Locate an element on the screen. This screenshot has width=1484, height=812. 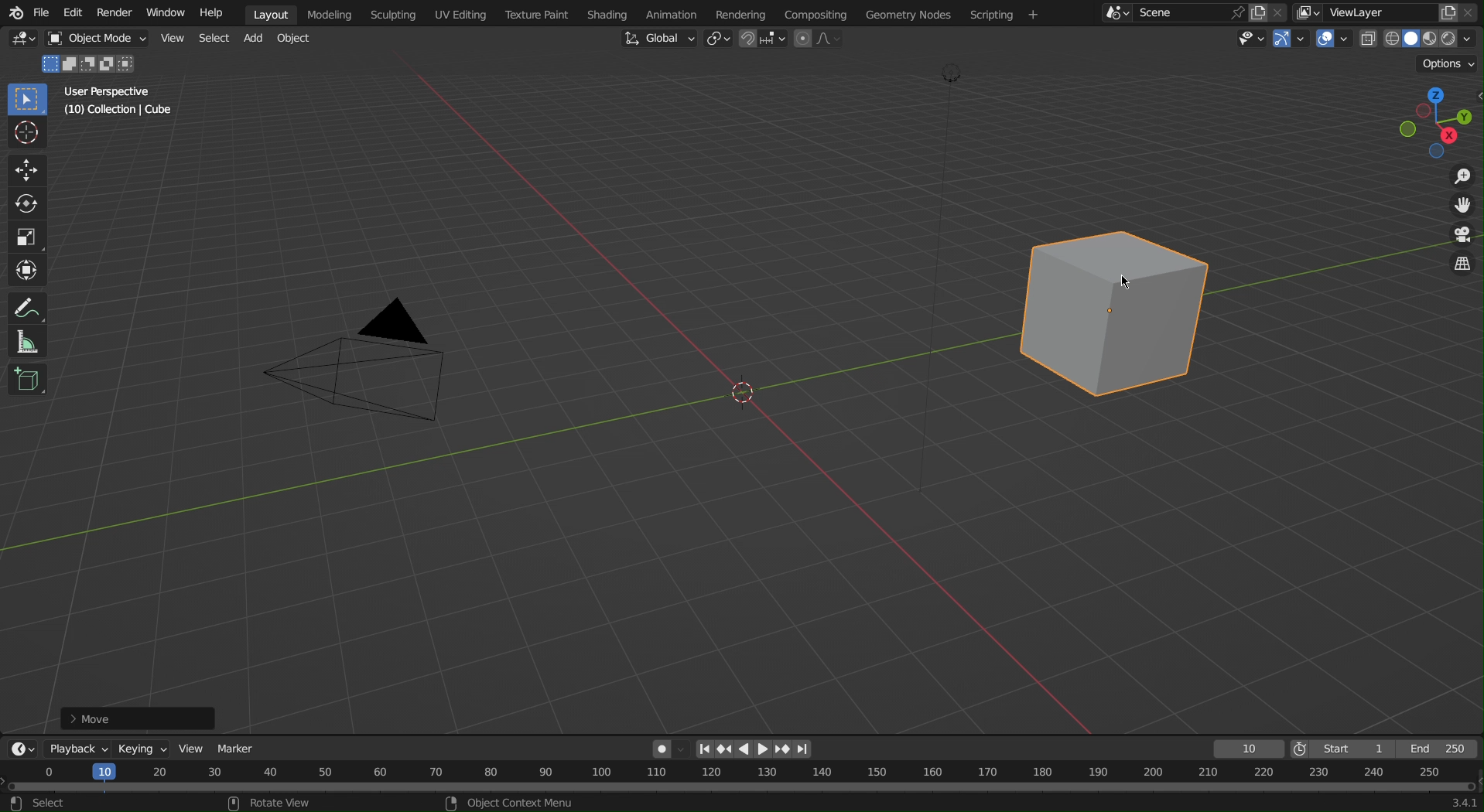
Types of objects is located at coordinates (1246, 38).